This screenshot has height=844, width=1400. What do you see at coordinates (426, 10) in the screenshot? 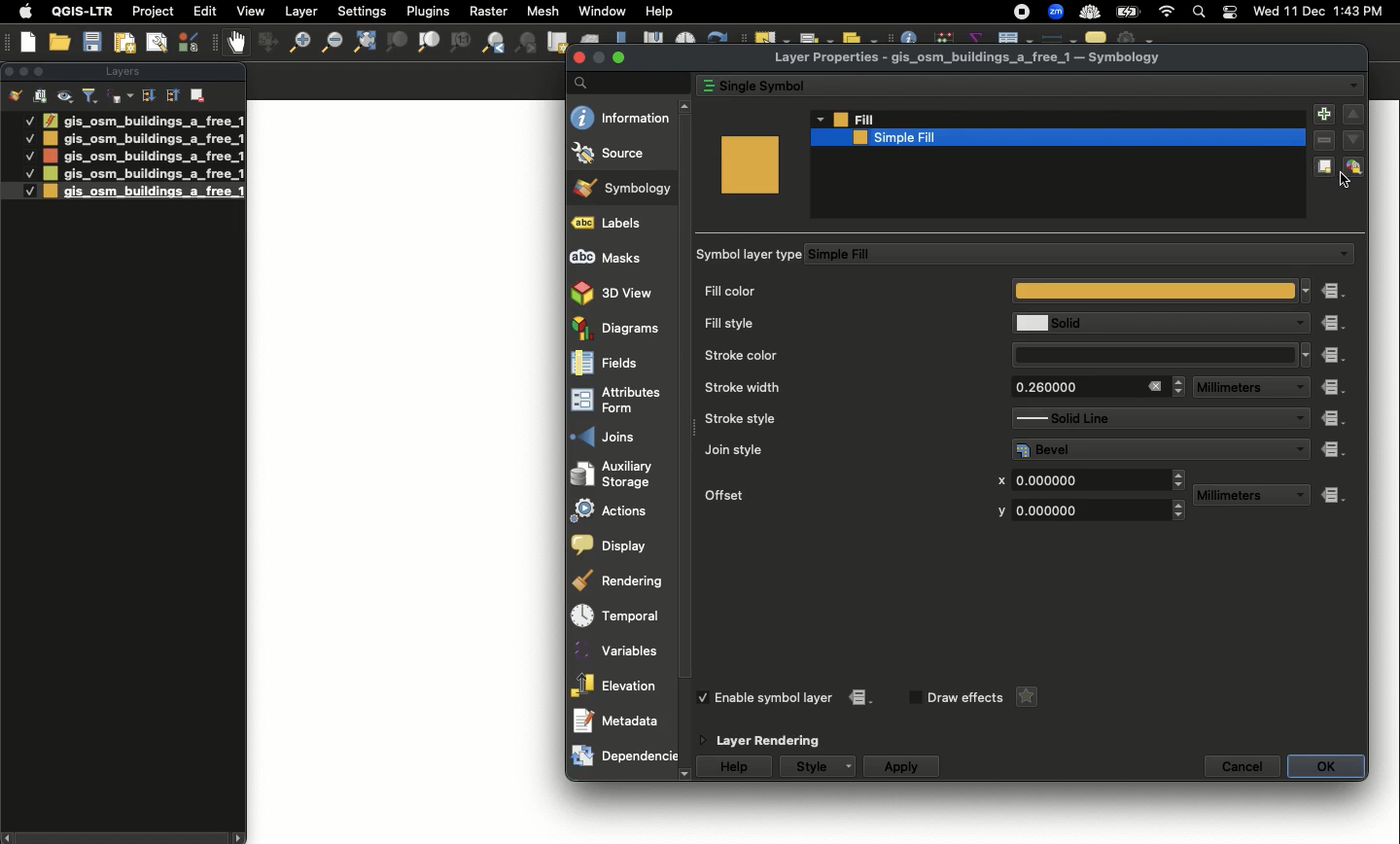
I see `Plugins` at bounding box center [426, 10].